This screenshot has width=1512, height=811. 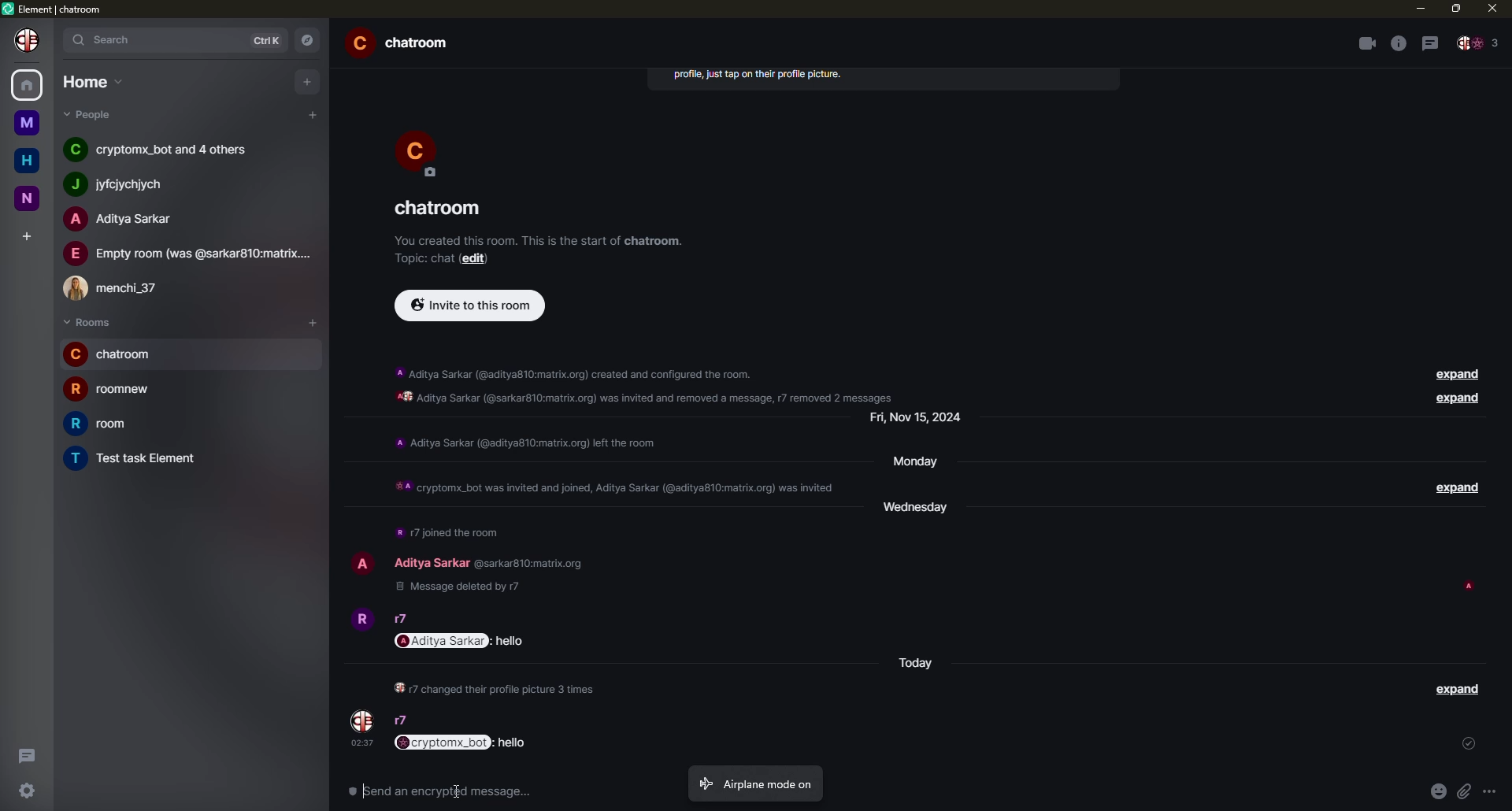 What do you see at coordinates (917, 464) in the screenshot?
I see `day` at bounding box center [917, 464].